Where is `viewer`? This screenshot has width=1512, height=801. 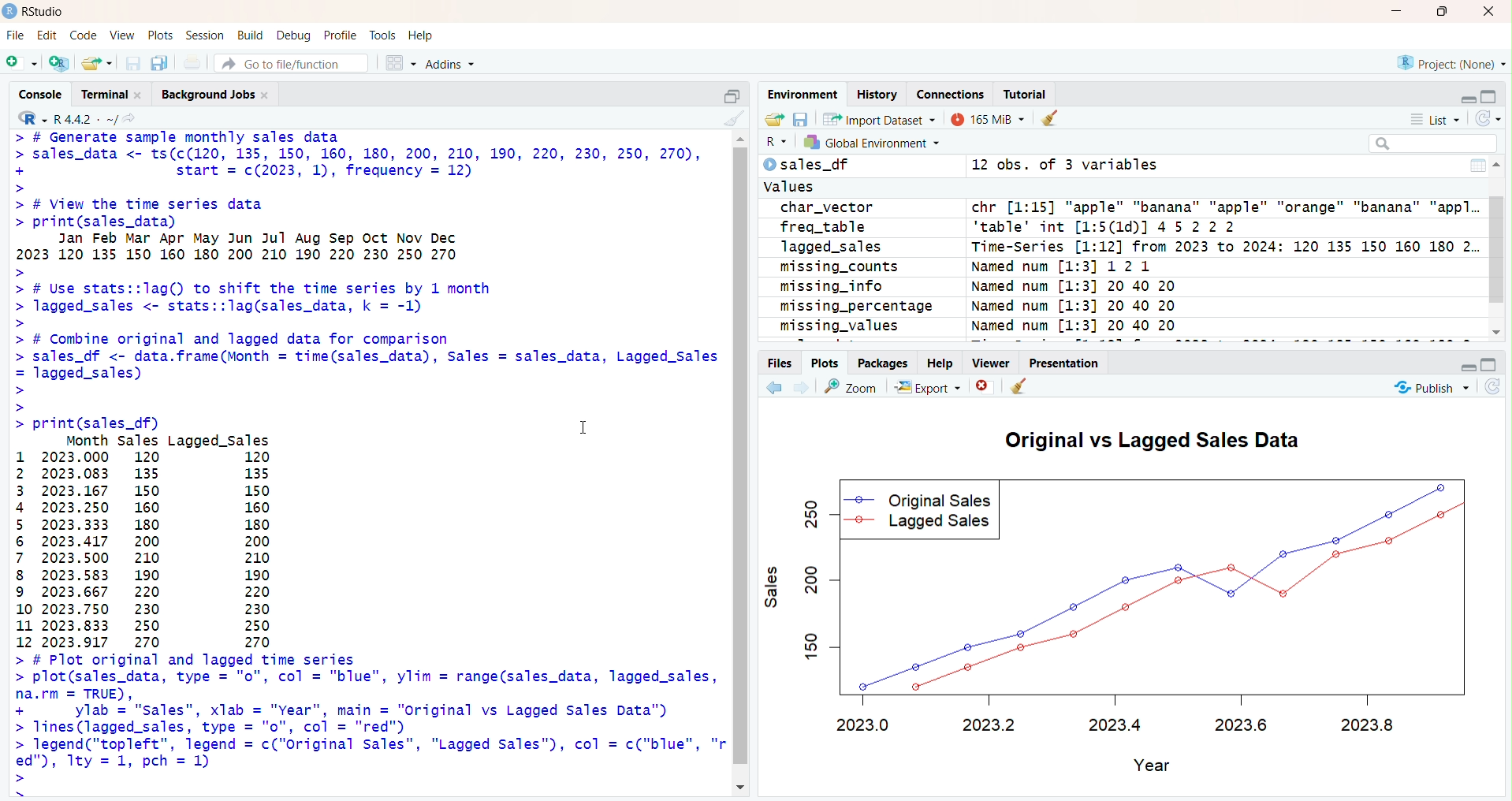 viewer is located at coordinates (990, 364).